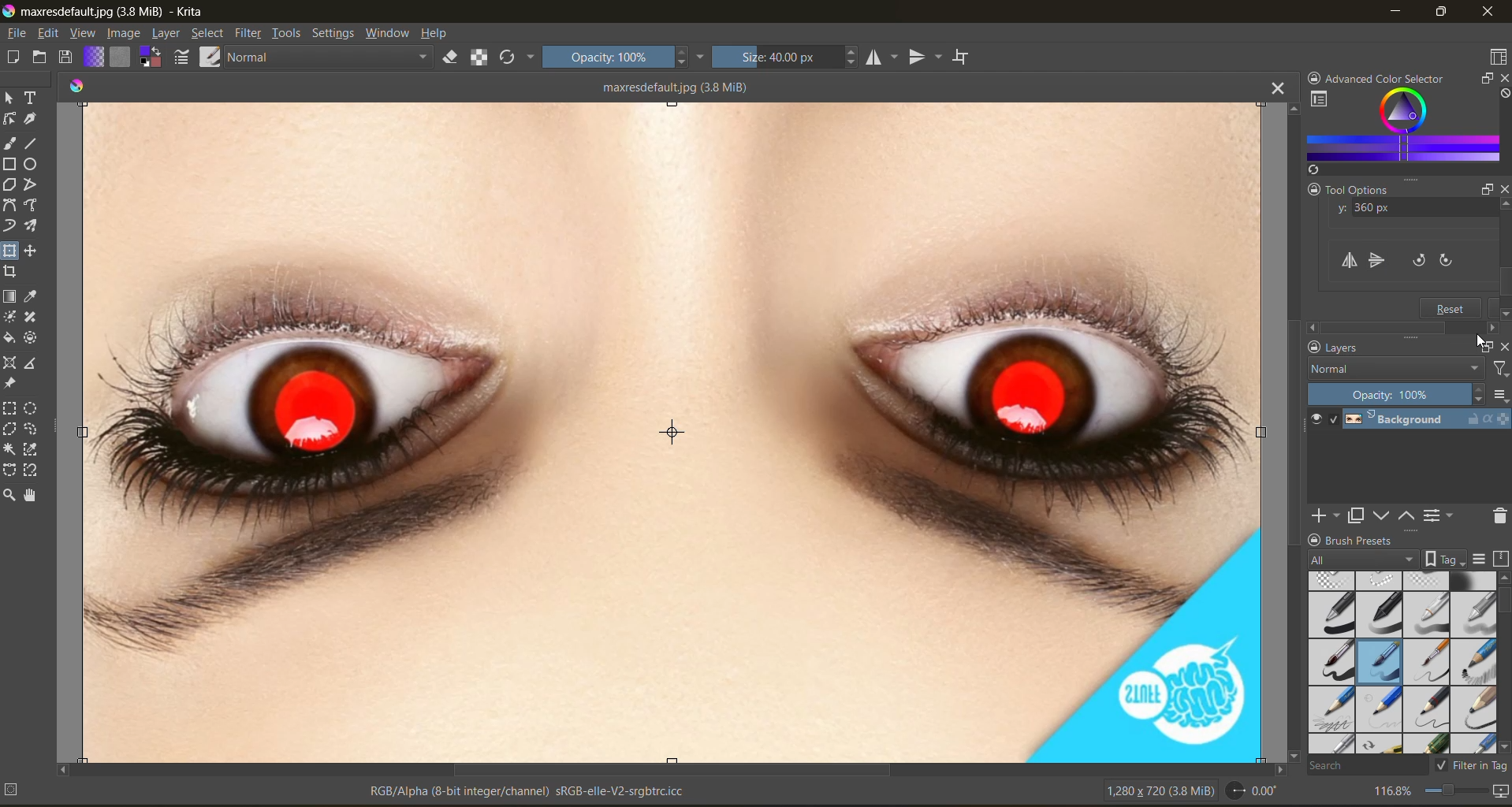  What do you see at coordinates (480, 58) in the screenshot?
I see `preserve alpha` at bounding box center [480, 58].